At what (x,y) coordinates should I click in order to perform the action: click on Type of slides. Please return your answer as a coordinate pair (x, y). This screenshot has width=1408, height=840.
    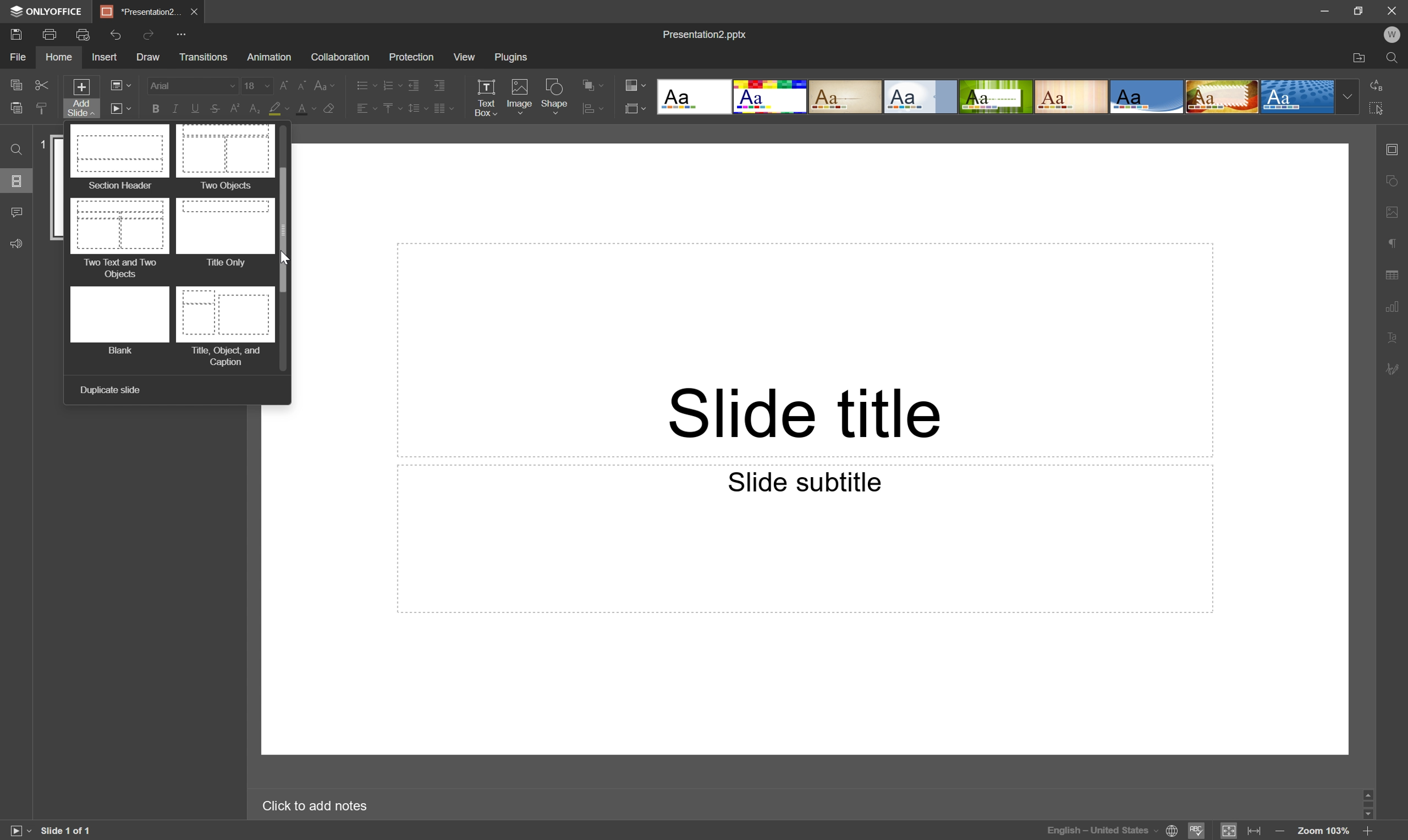
    Looking at the image, I should click on (996, 96).